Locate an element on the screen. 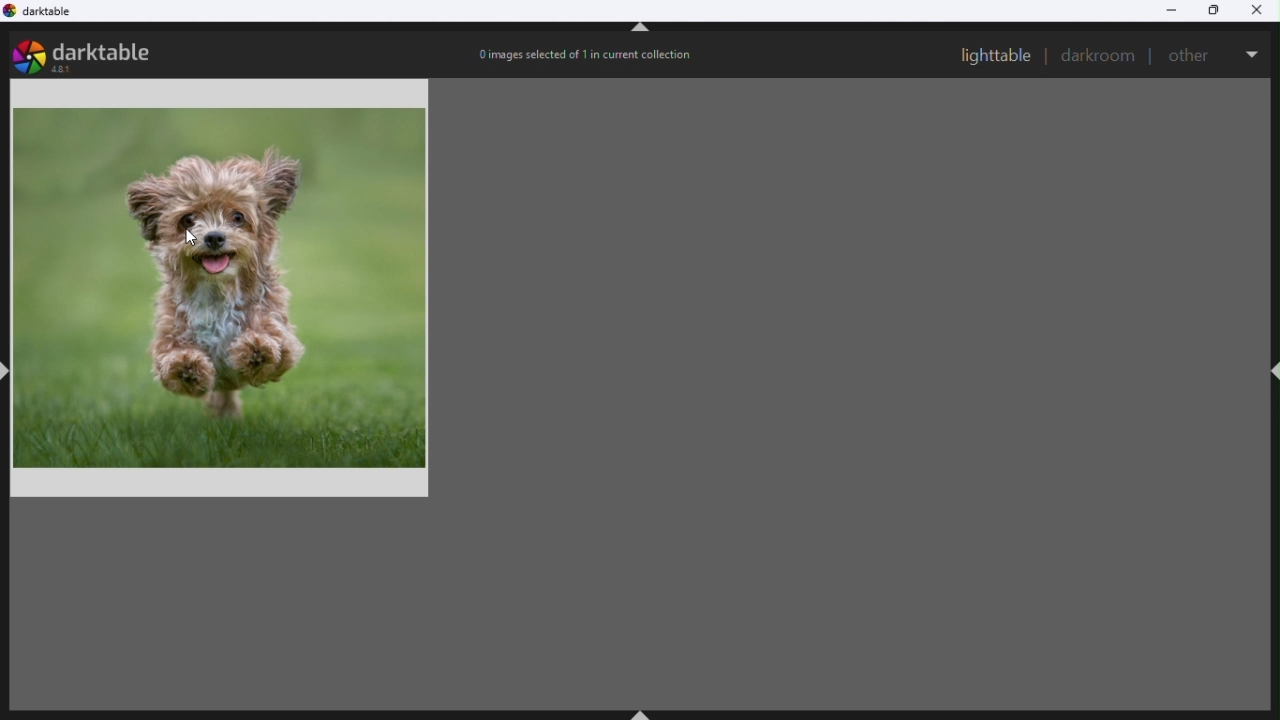  Light table is located at coordinates (994, 55).